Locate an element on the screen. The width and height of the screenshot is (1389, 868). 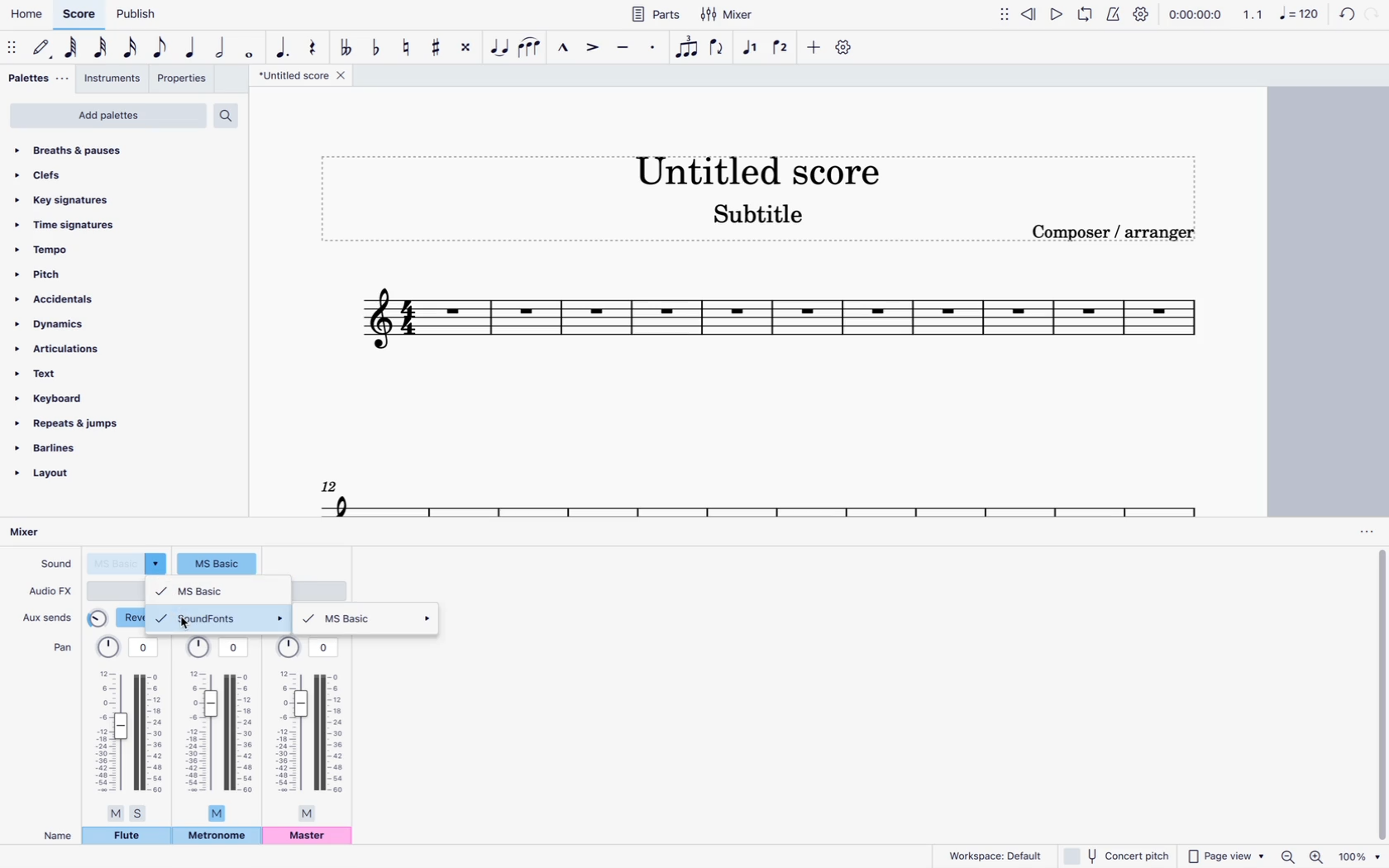
pan is located at coordinates (219, 727).